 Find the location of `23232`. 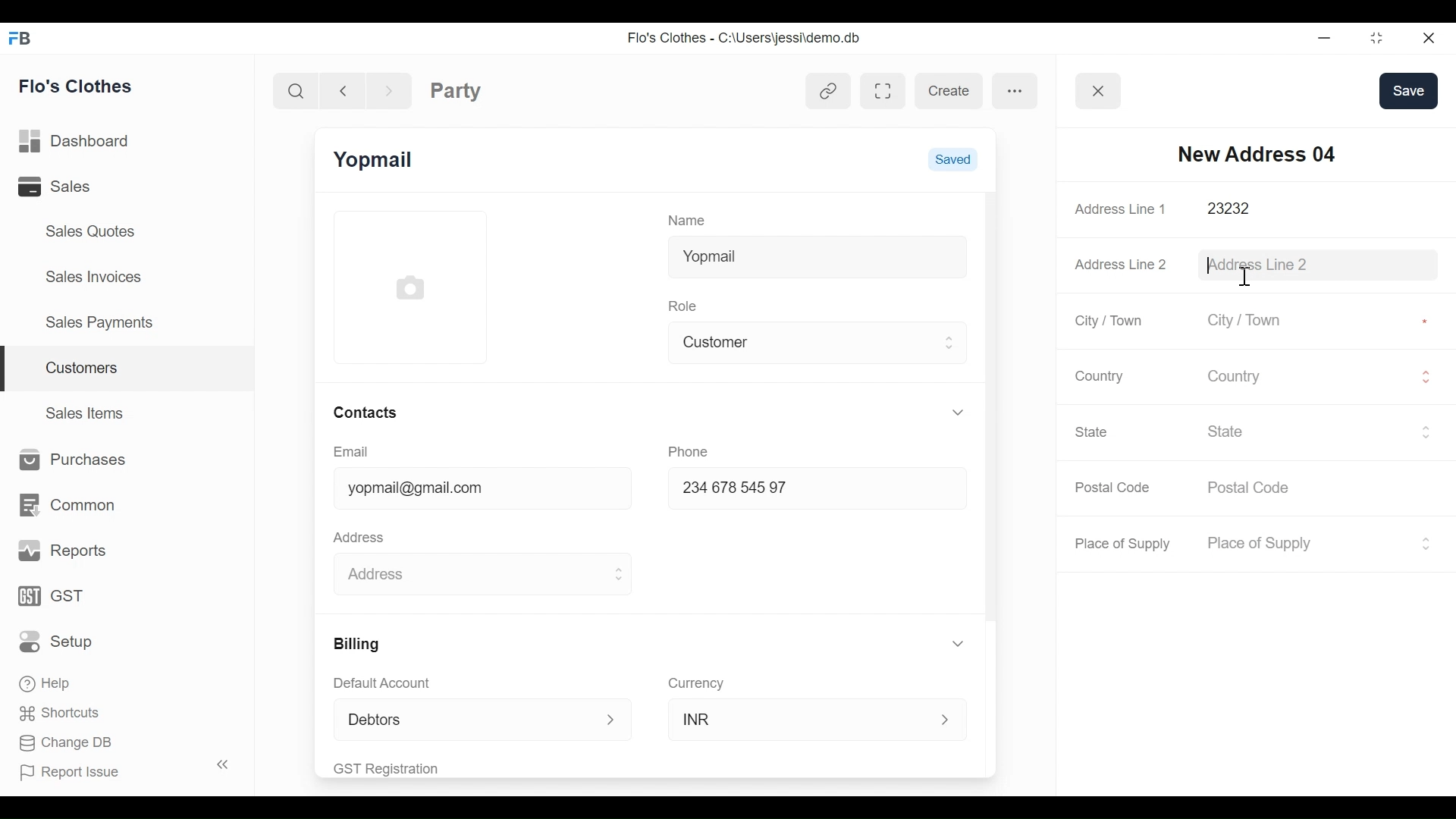

23232 is located at coordinates (1302, 209).